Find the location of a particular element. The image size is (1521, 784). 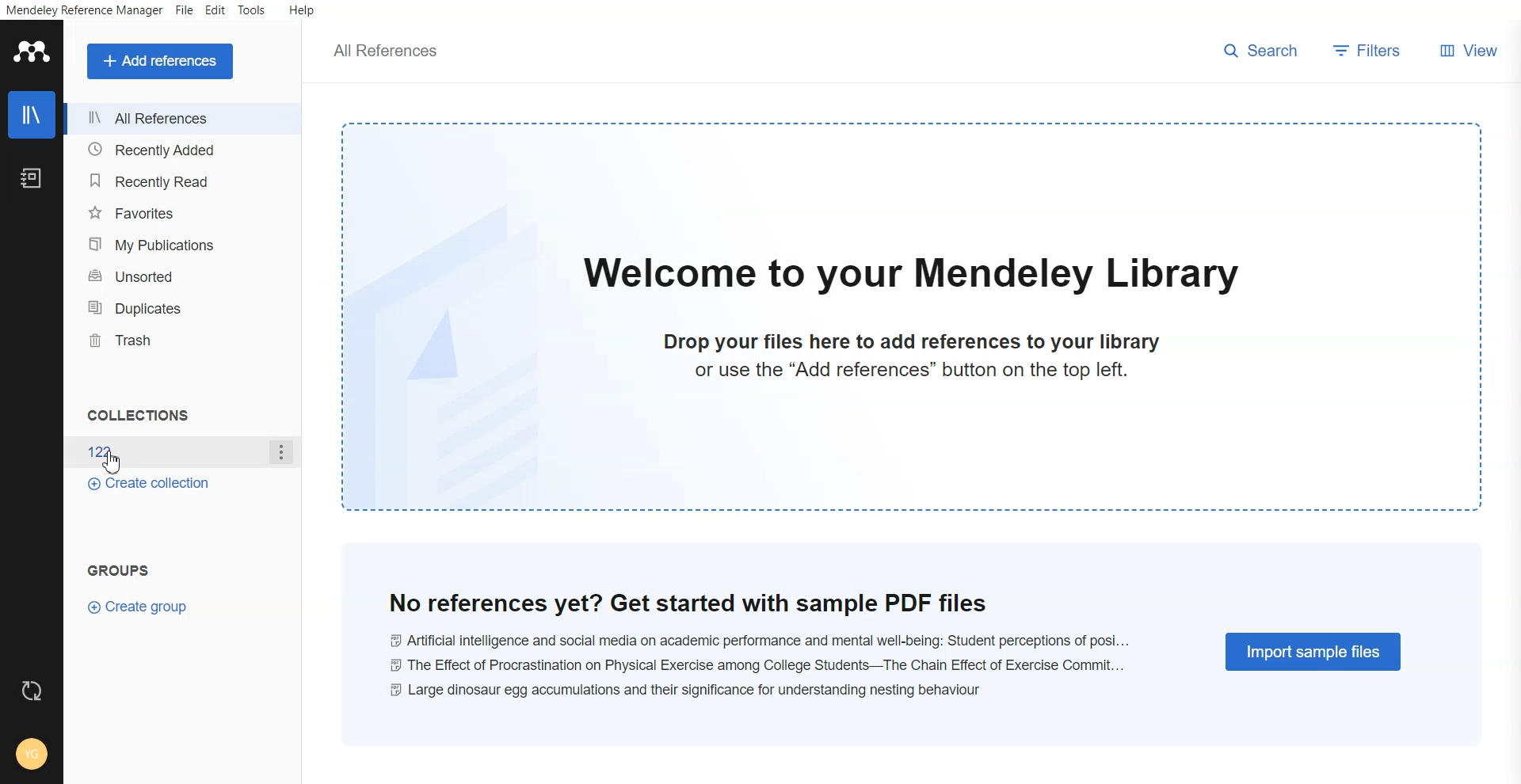

Recently read is located at coordinates (183, 179).